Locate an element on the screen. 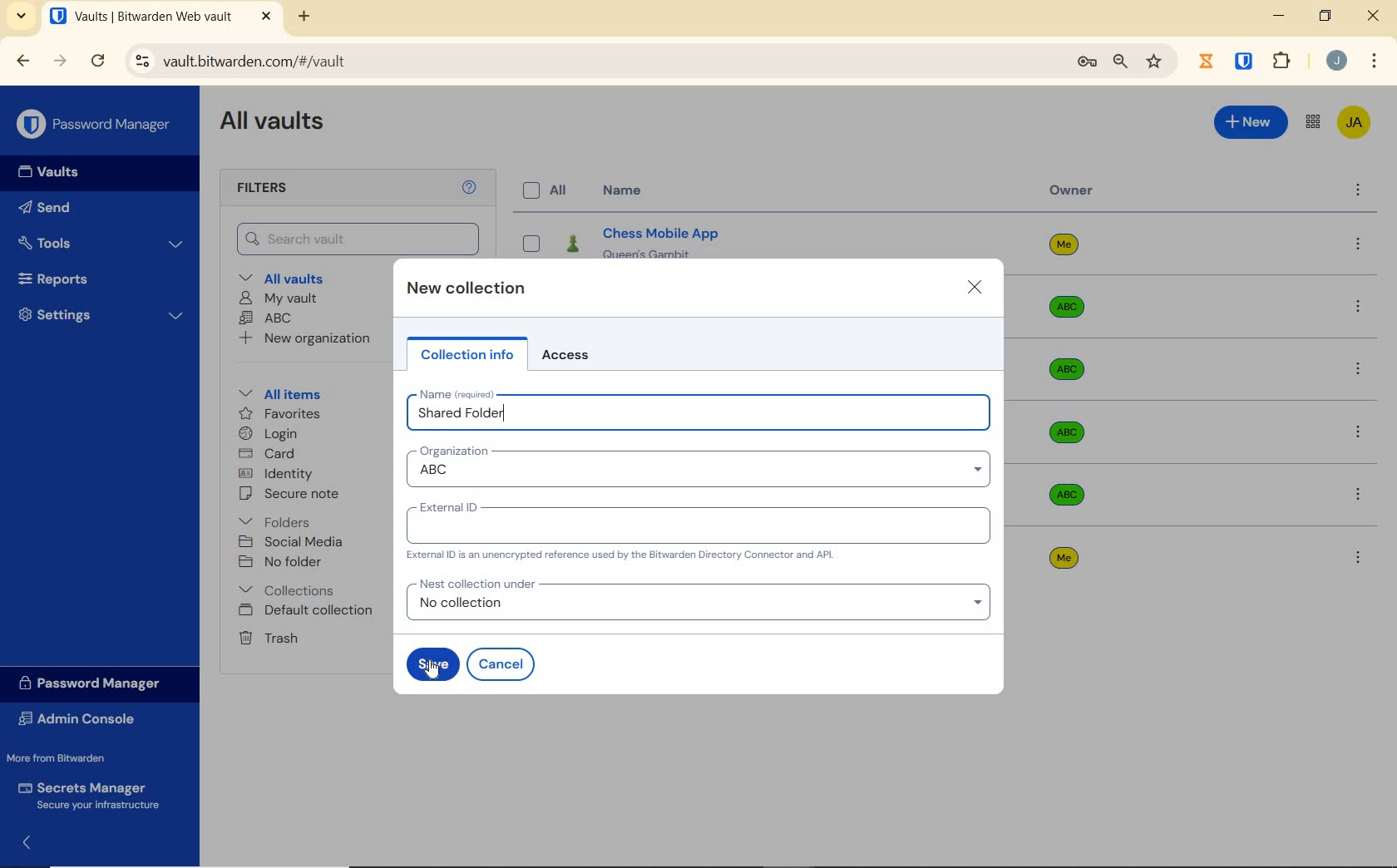  All vaults is located at coordinates (299, 278).